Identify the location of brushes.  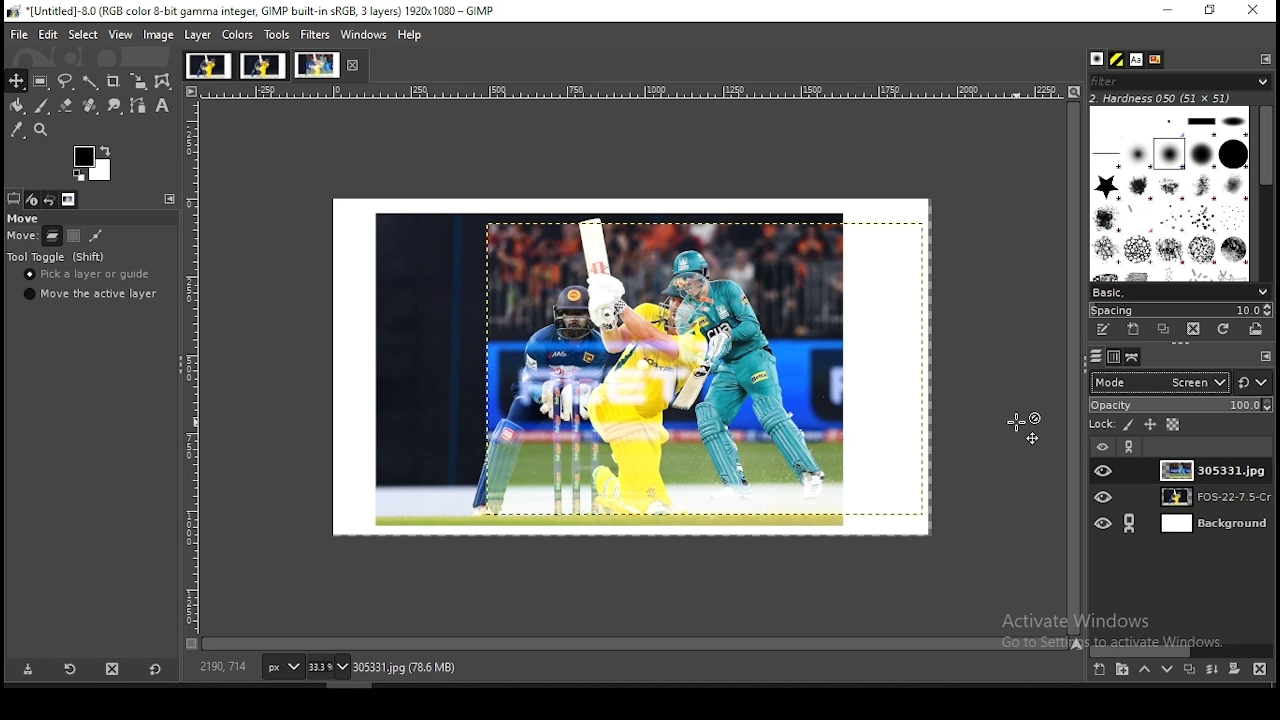
(1171, 194).